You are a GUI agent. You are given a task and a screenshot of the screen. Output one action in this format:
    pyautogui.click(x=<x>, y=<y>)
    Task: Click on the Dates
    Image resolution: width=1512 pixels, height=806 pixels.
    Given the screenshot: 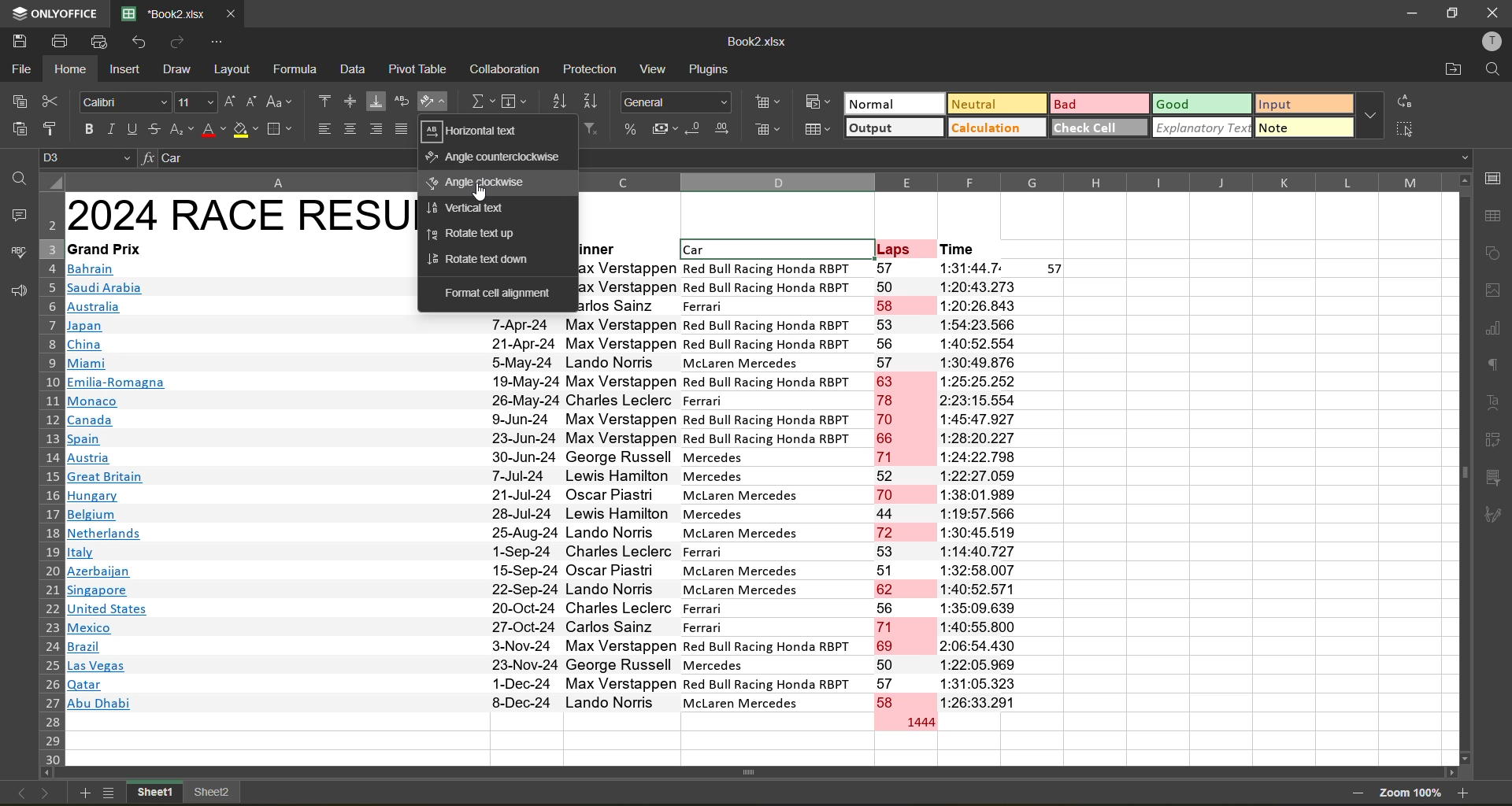 What is the action you would take?
    pyautogui.click(x=521, y=515)
    